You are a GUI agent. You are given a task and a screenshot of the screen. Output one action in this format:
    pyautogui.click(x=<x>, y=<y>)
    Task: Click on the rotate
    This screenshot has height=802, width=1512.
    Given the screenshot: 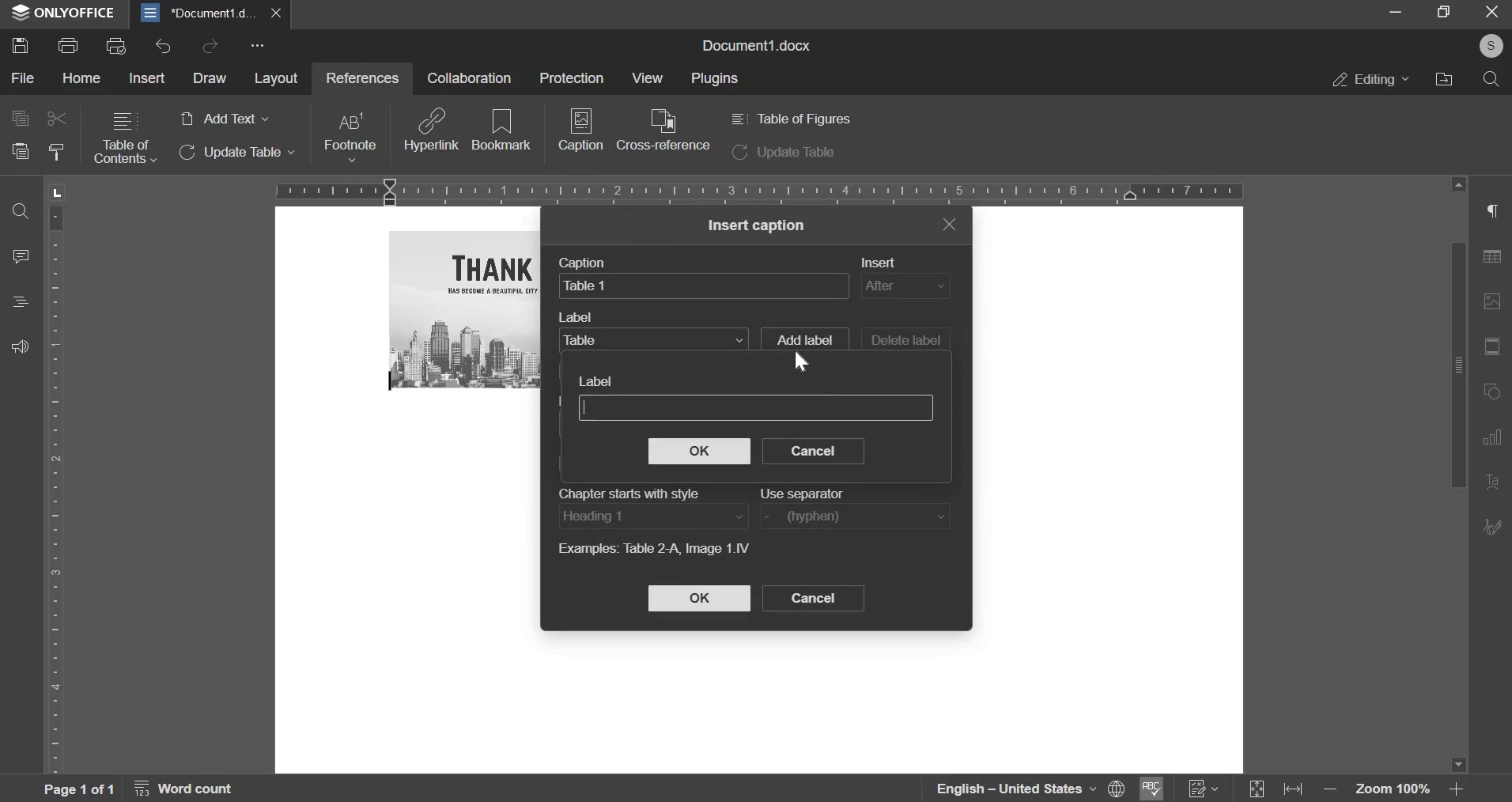 What is the action you would take?
    pyautogui.click(x=1495, y=393)
    